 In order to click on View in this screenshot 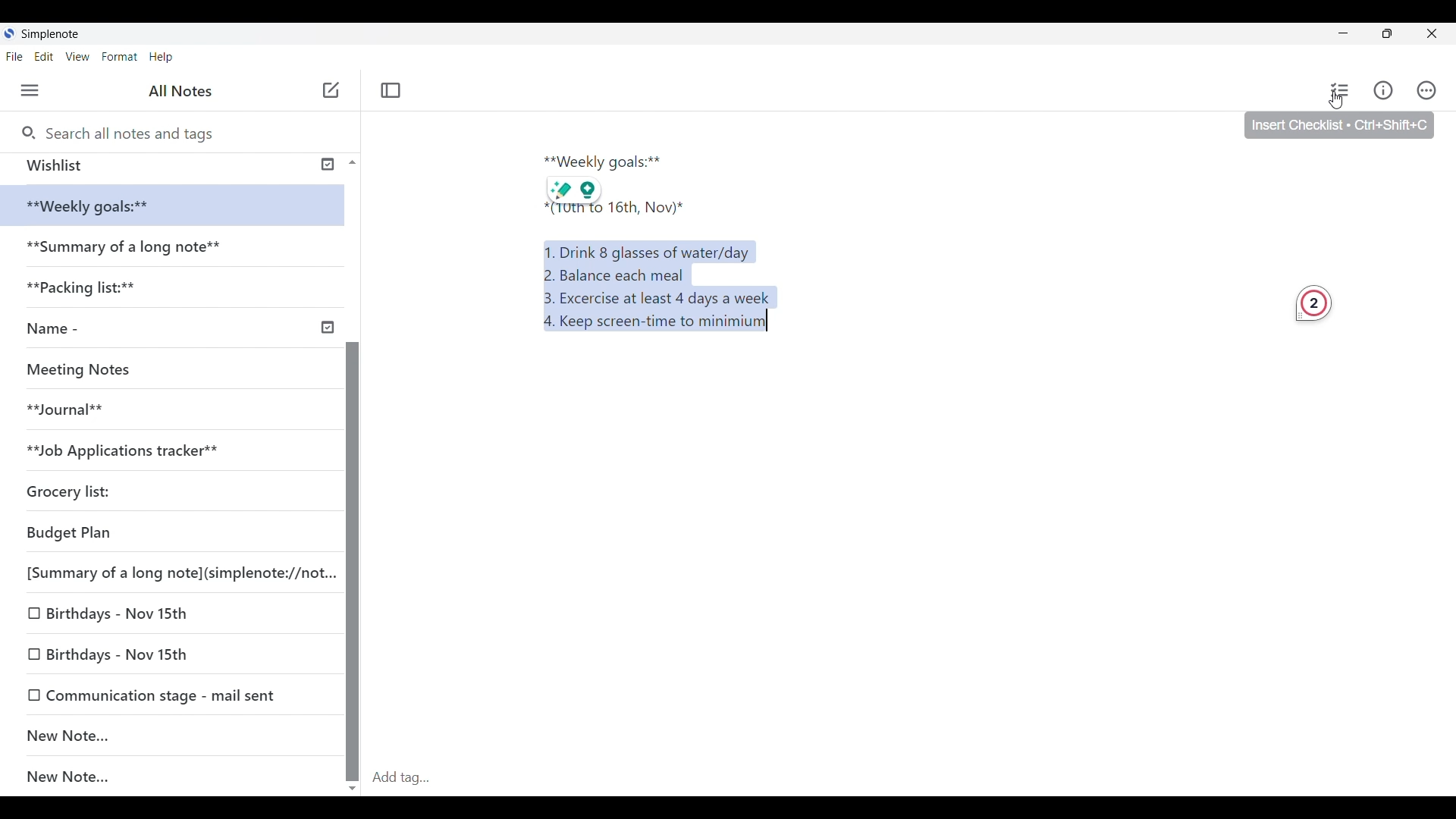, I will do `click(80, 58)`.